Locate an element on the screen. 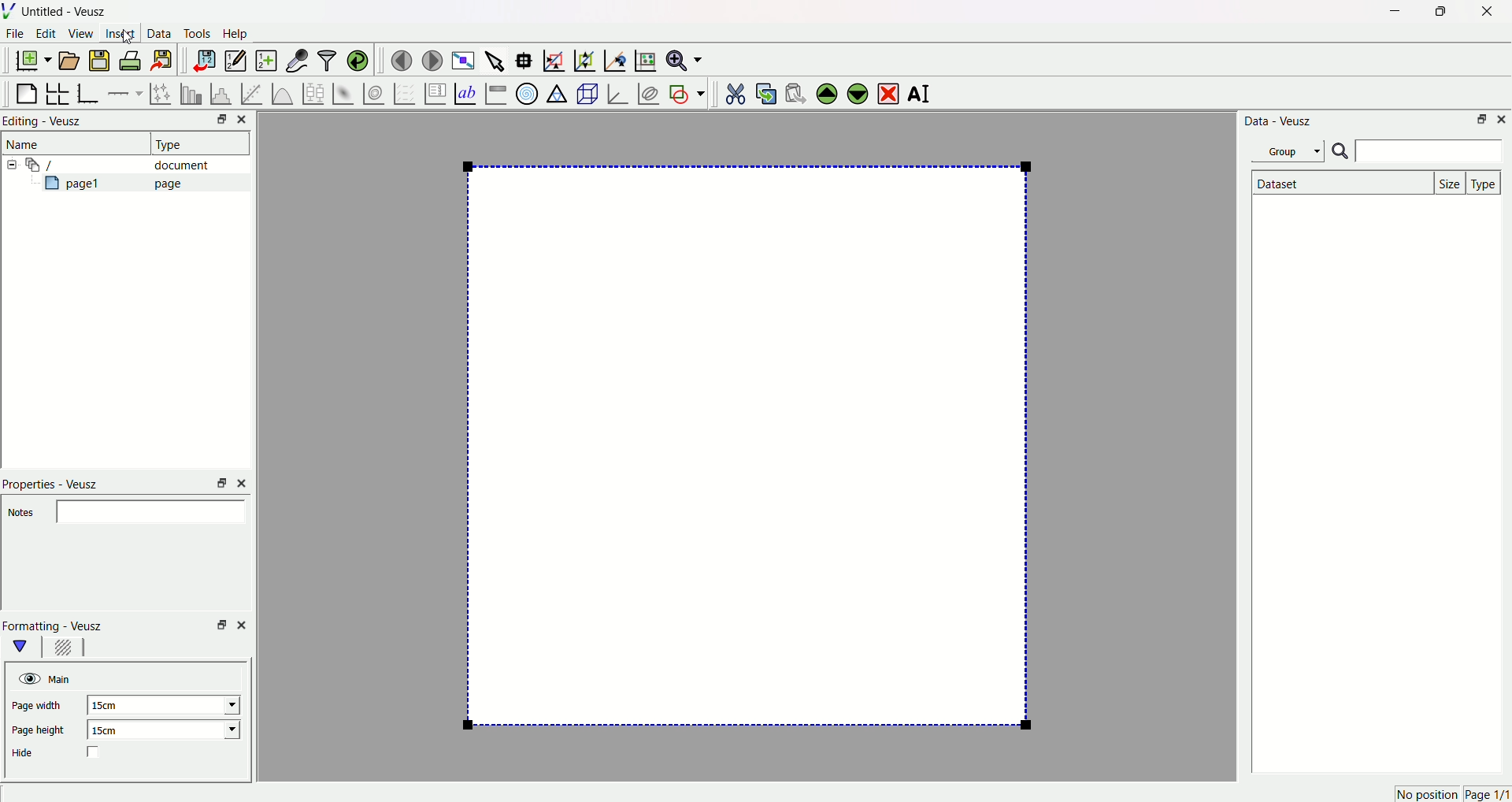  plot key is located at coordinates (434, 91).